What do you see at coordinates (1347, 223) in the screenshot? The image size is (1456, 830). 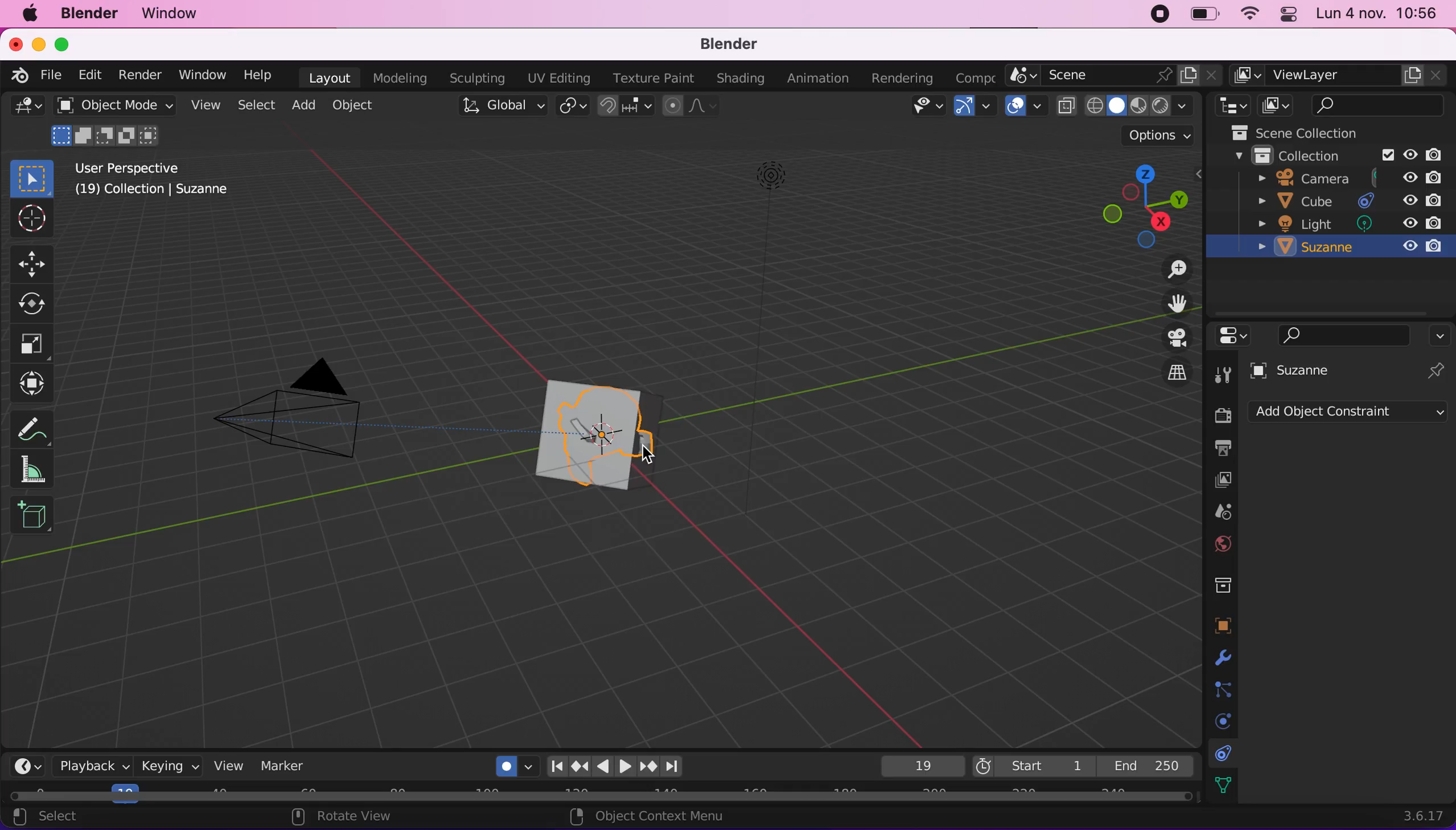 I see `light` at bounding box center [1347, 223].